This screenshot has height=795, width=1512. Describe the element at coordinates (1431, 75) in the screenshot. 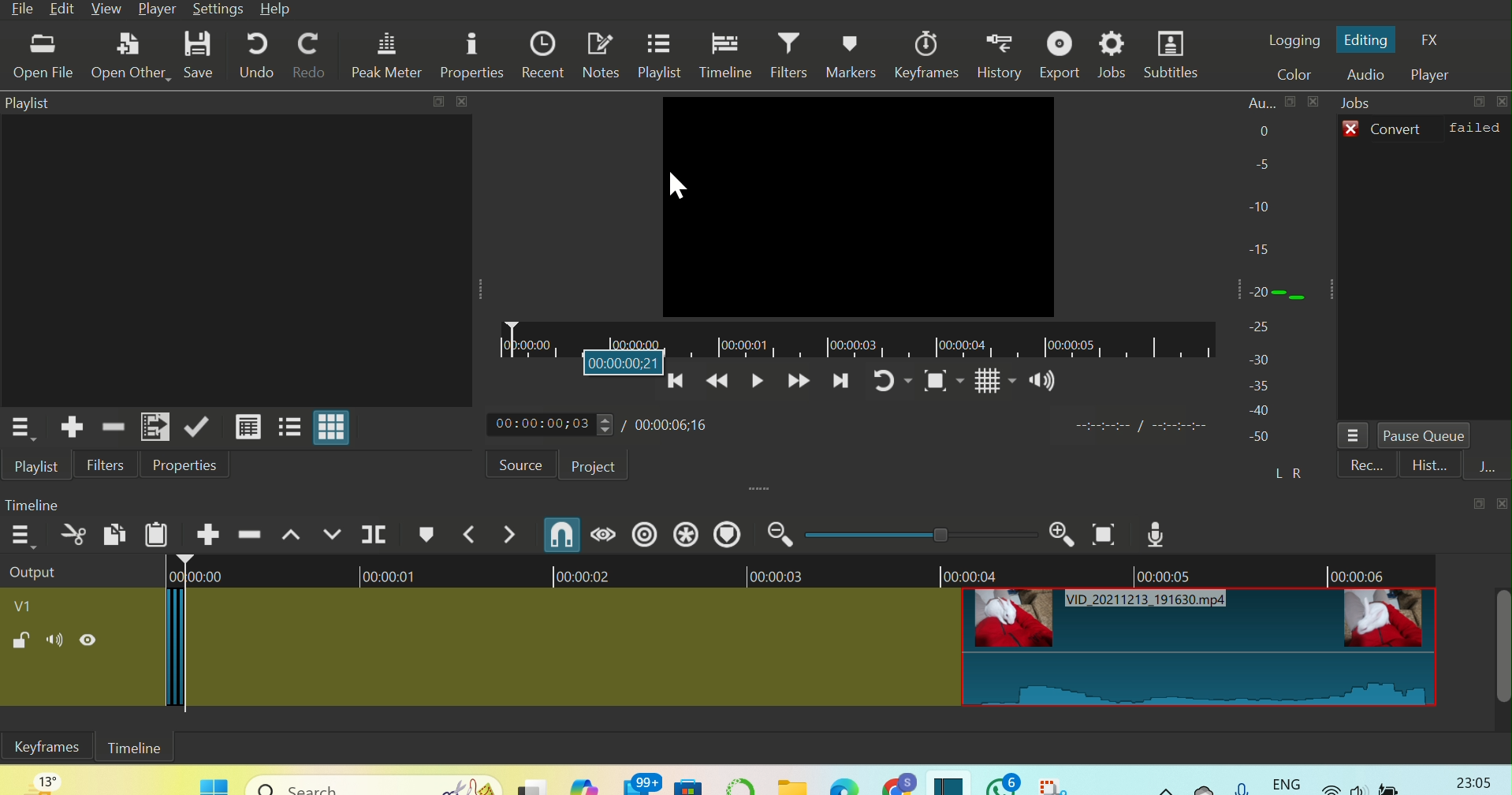

I see `Player` at that location.